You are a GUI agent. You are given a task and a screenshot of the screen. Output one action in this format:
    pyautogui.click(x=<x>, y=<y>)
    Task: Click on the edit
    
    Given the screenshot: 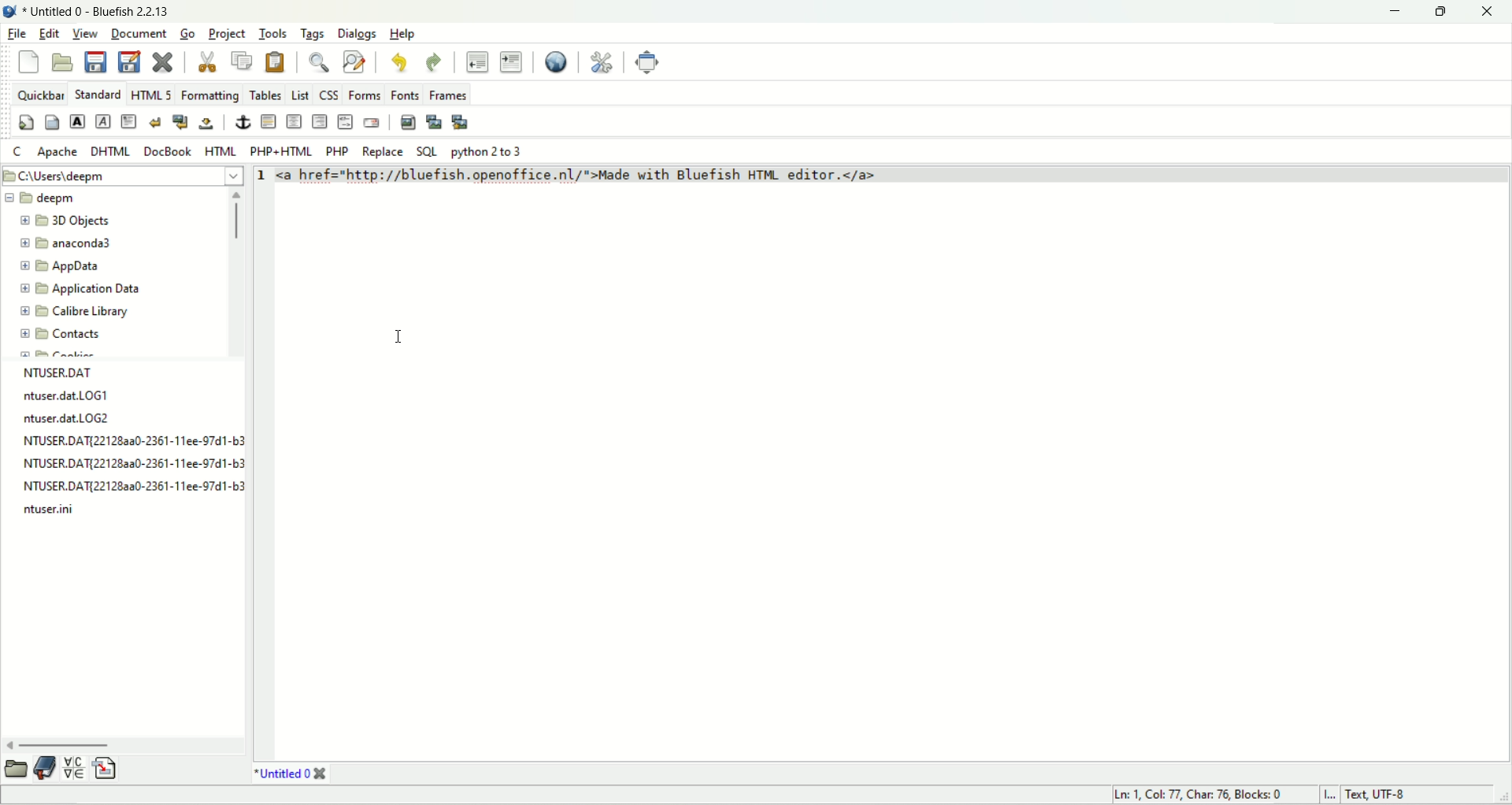 What is the action you would take?
    pyautogui.click(x=51, y=33)
    